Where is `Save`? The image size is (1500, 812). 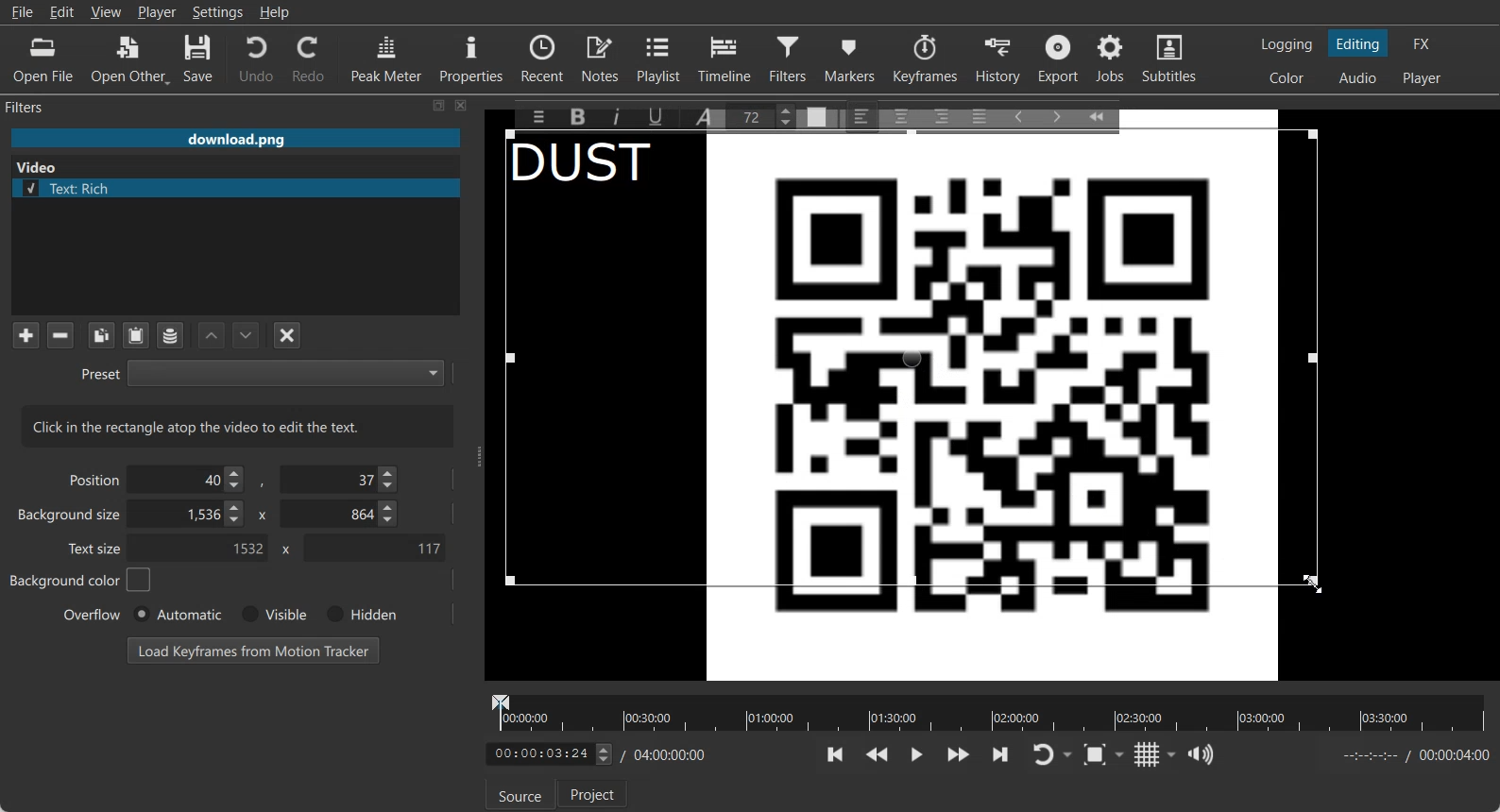
Save is located at coordinates (198, 59).